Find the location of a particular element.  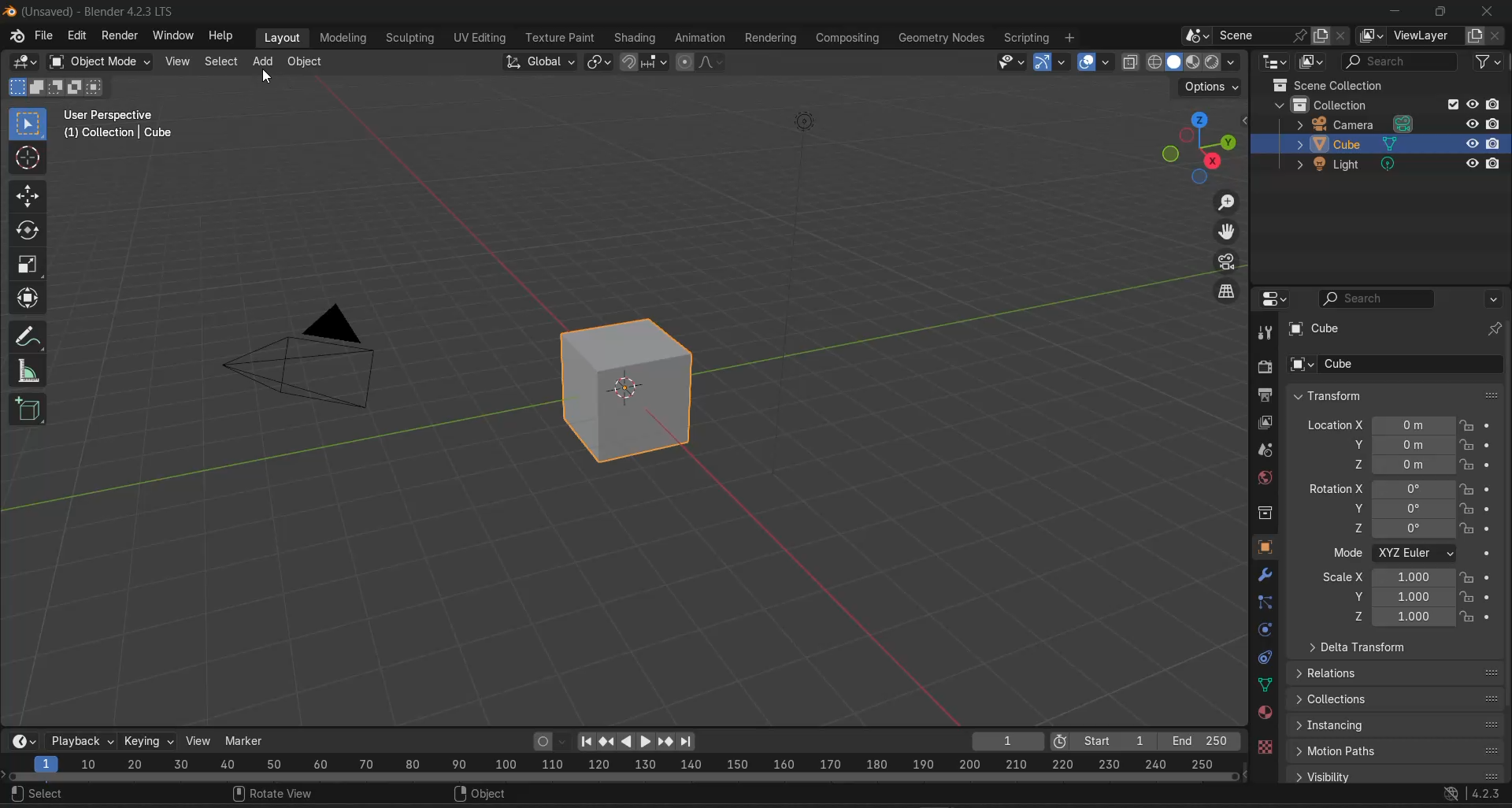

proportional editing fall off is located at coordinates (716, 65).